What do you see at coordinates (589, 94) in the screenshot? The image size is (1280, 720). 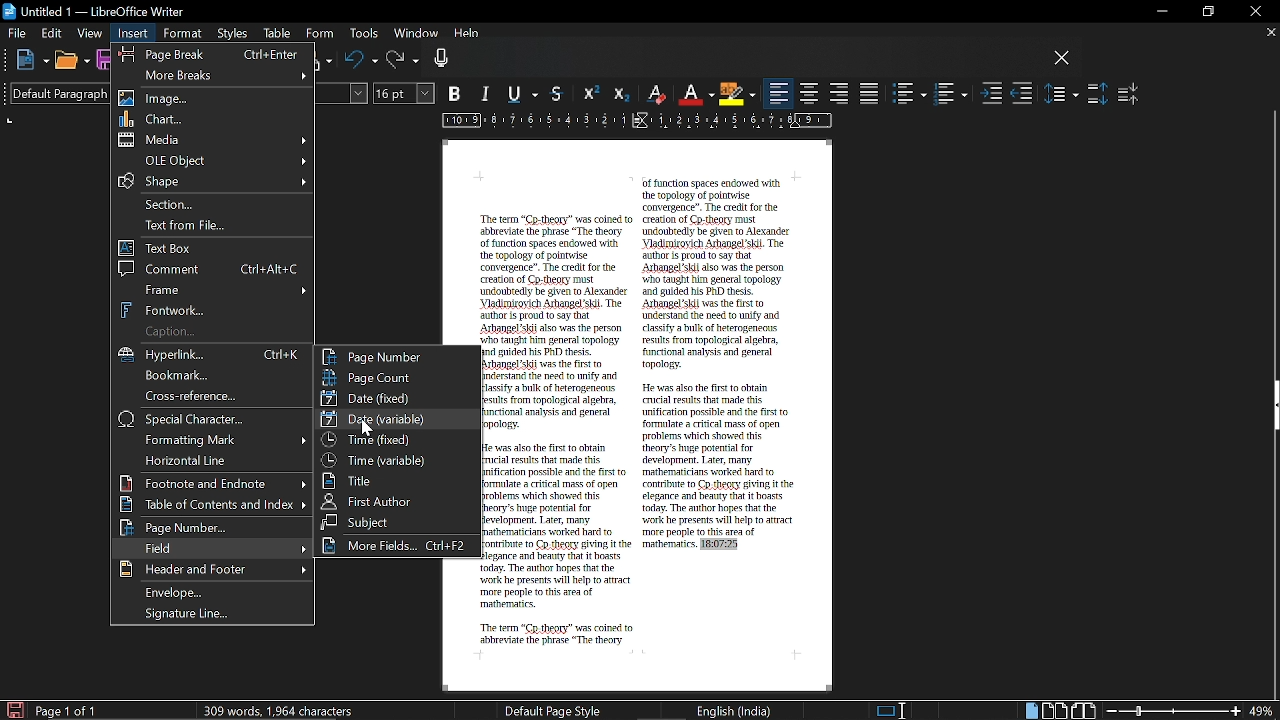 I see `Superscript` at bounding box center [589, 94].